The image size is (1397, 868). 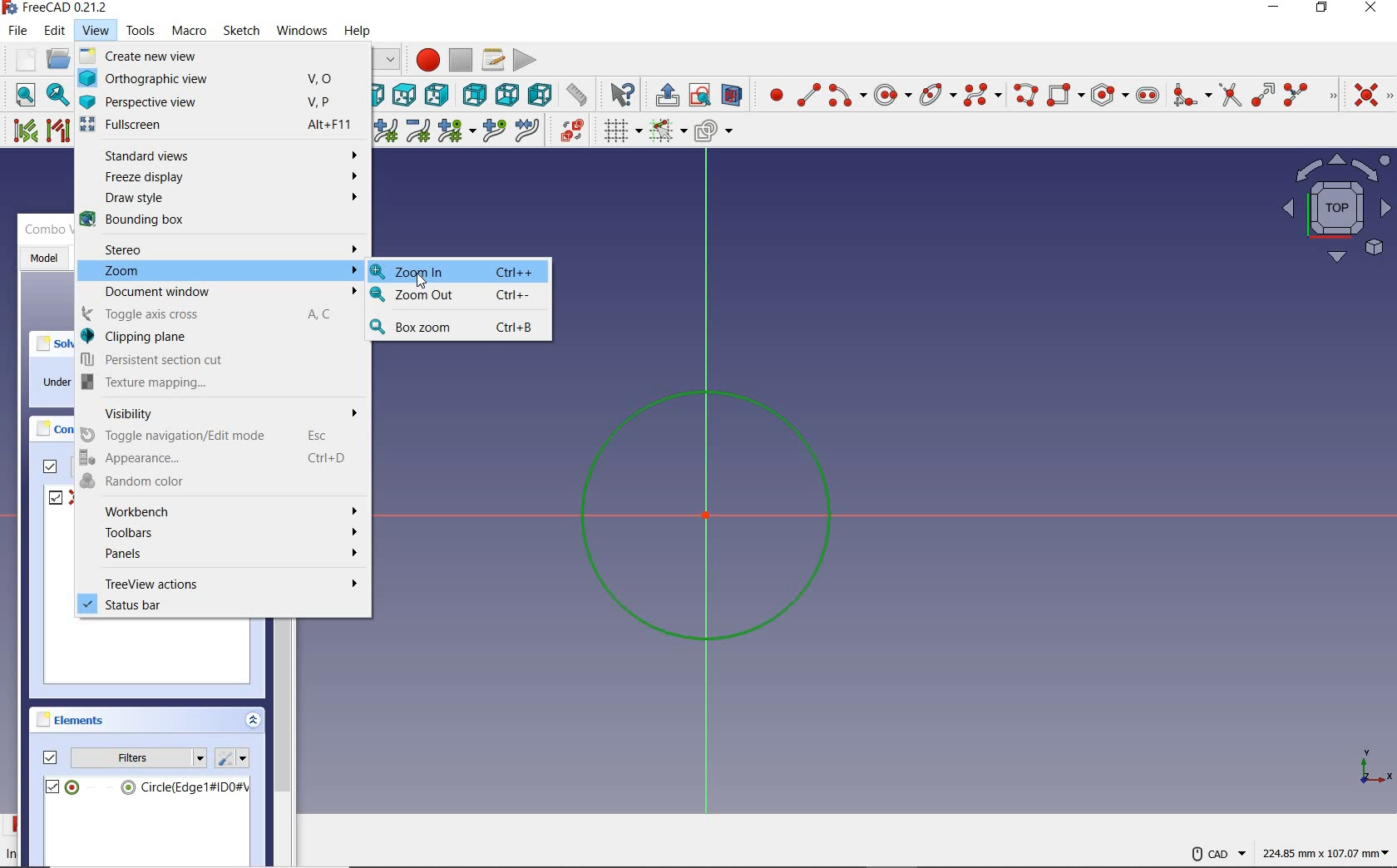 I want to click on trim edge, so click(x=1228, y=95).